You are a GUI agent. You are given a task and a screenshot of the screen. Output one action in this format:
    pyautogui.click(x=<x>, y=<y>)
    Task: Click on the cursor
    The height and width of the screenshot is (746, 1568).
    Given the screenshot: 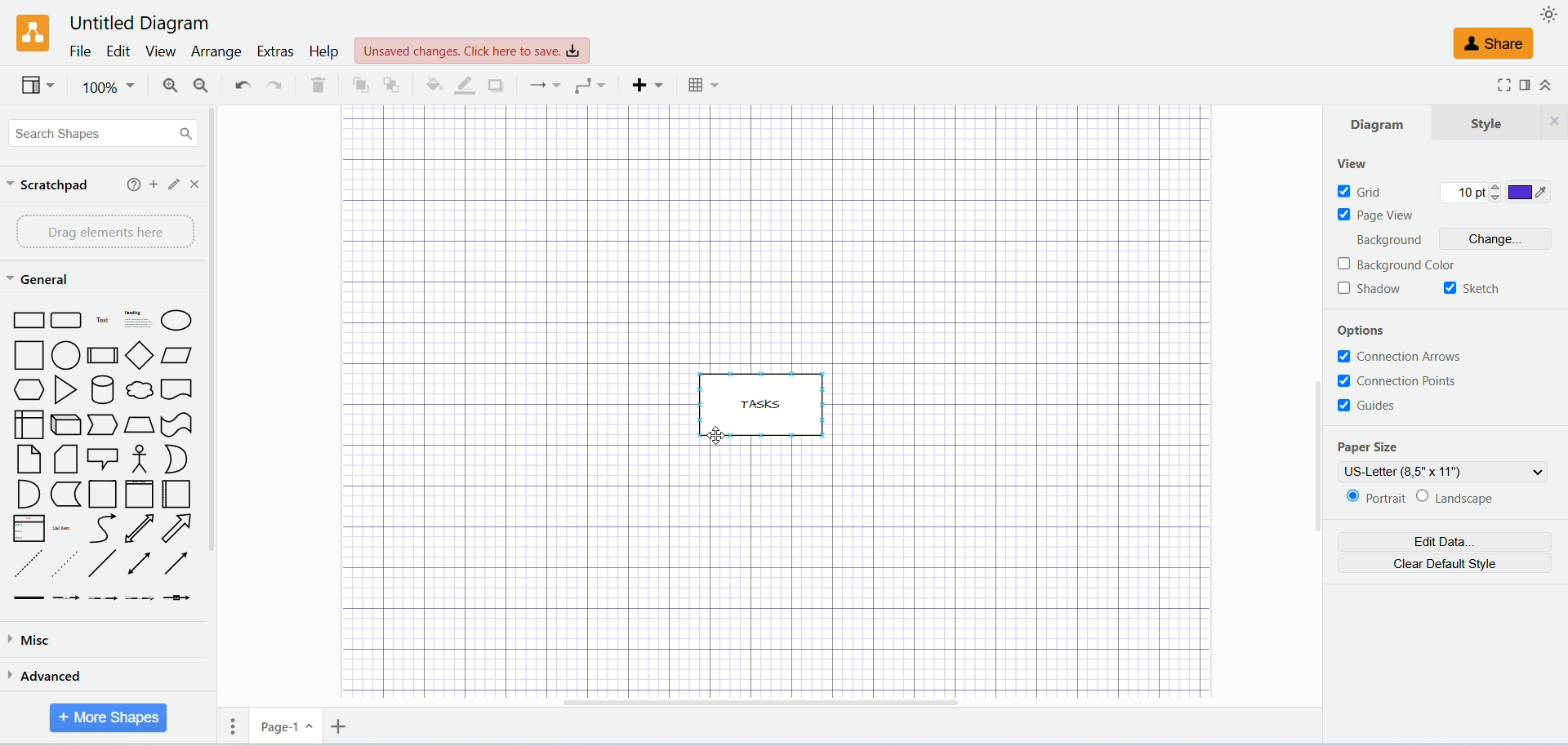 What is the action you would take?
    pyautogui.click(x=719, y=437)
    